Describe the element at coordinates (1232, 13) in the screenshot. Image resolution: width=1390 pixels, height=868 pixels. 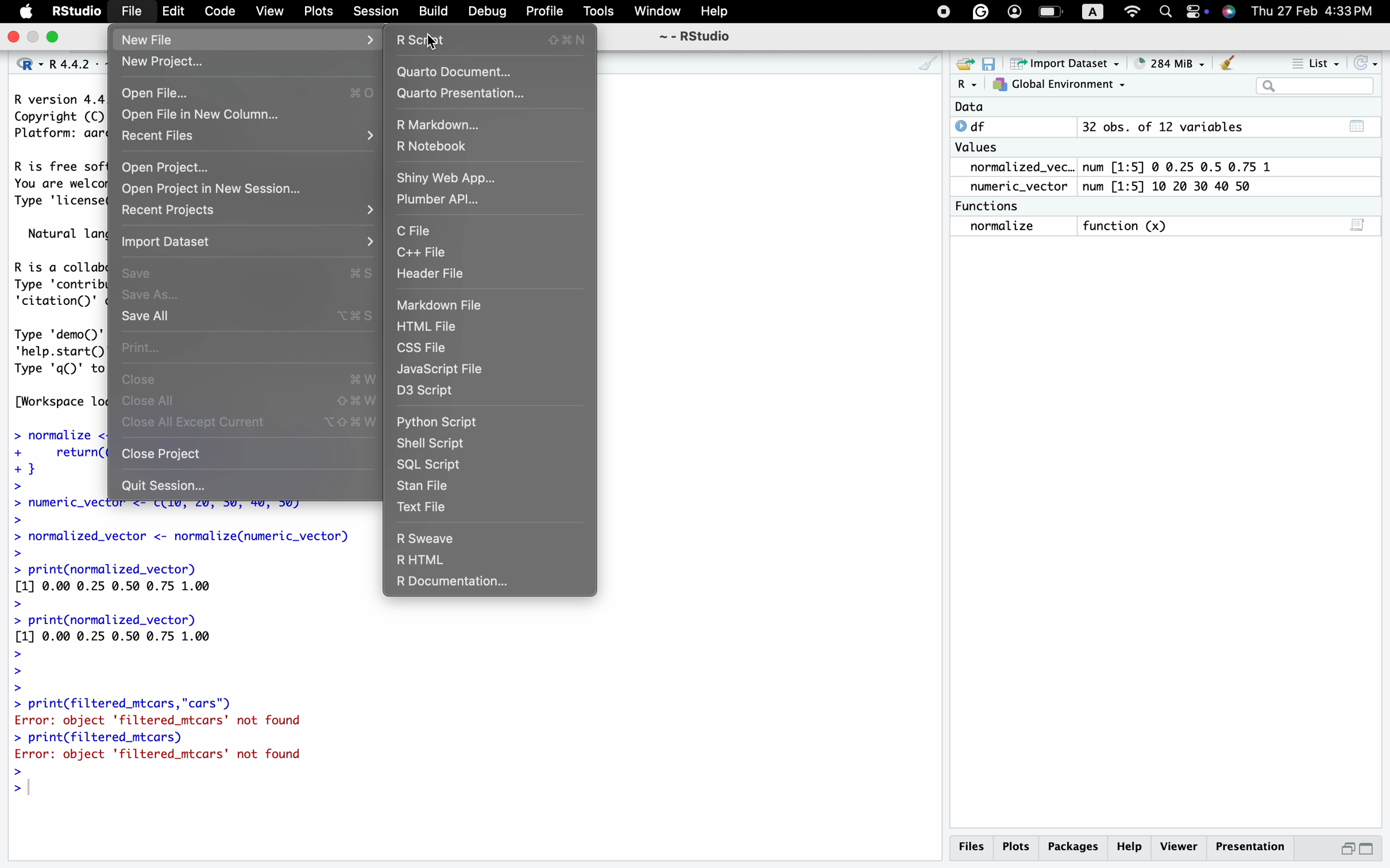
I see `SIRI` at that location.